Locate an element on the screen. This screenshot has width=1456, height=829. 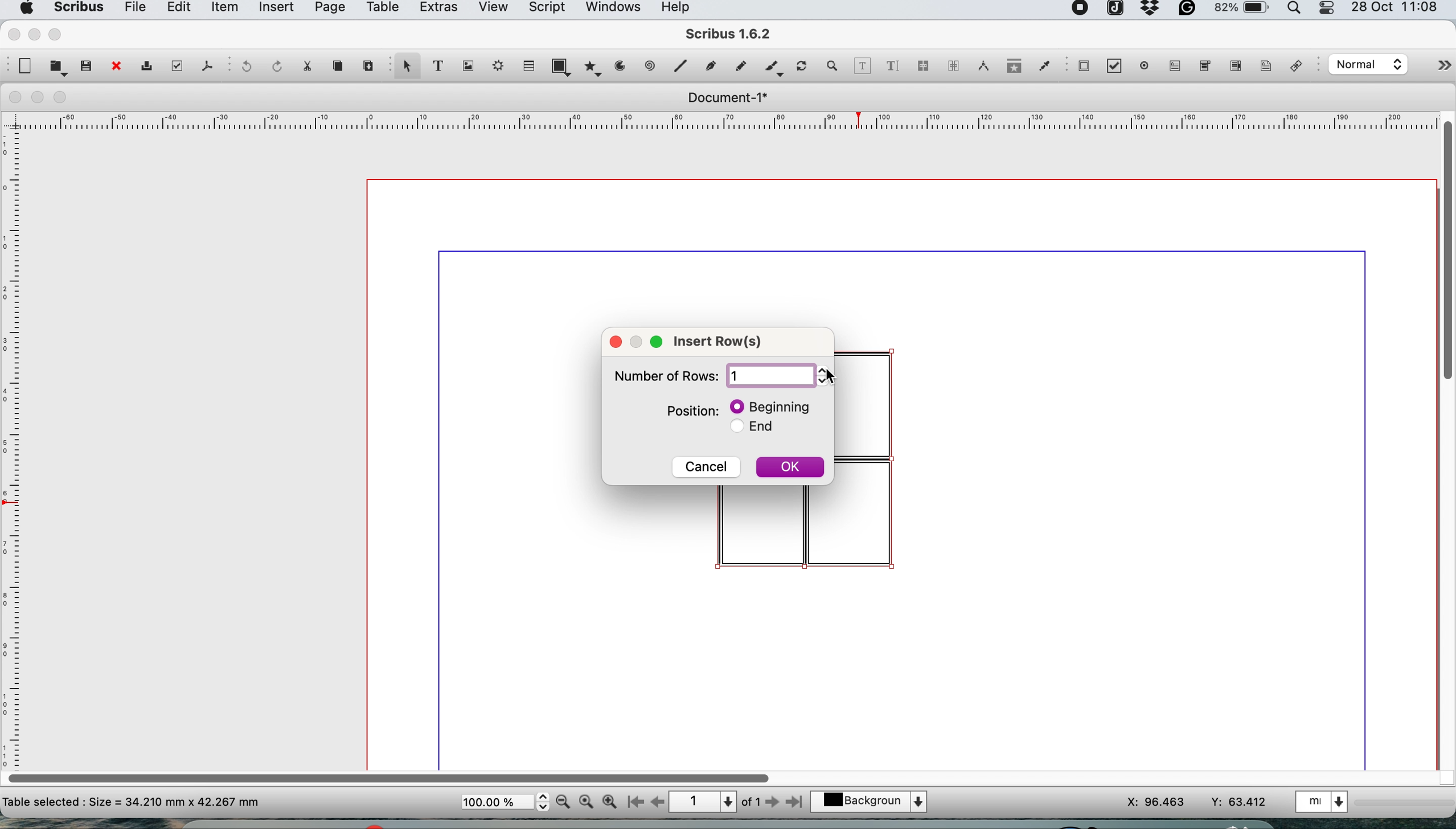
table is located at coordinates (527, 65).